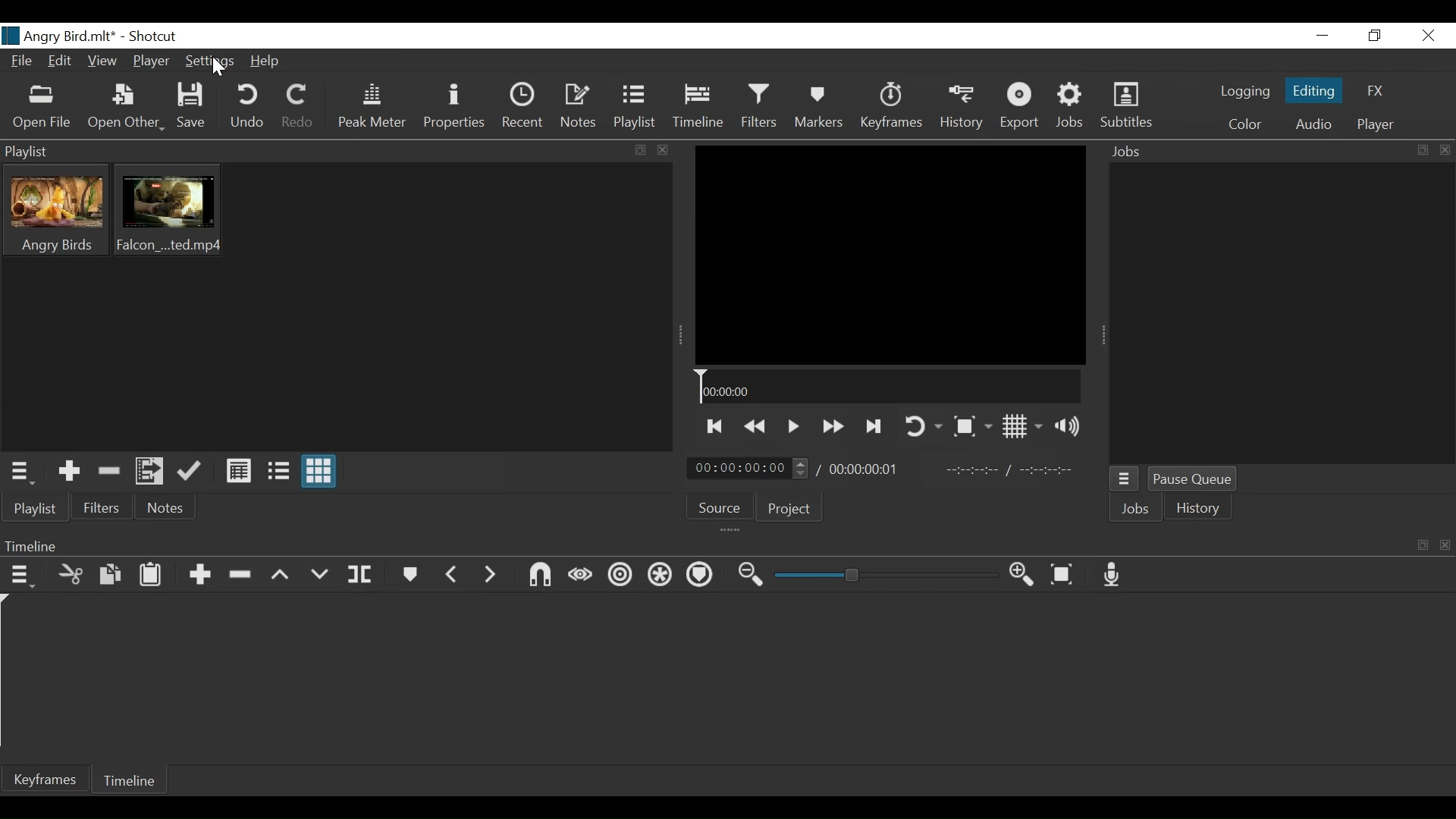 This screenshot has height=819, width=1456. I want to click on File name, so click(62, 35).